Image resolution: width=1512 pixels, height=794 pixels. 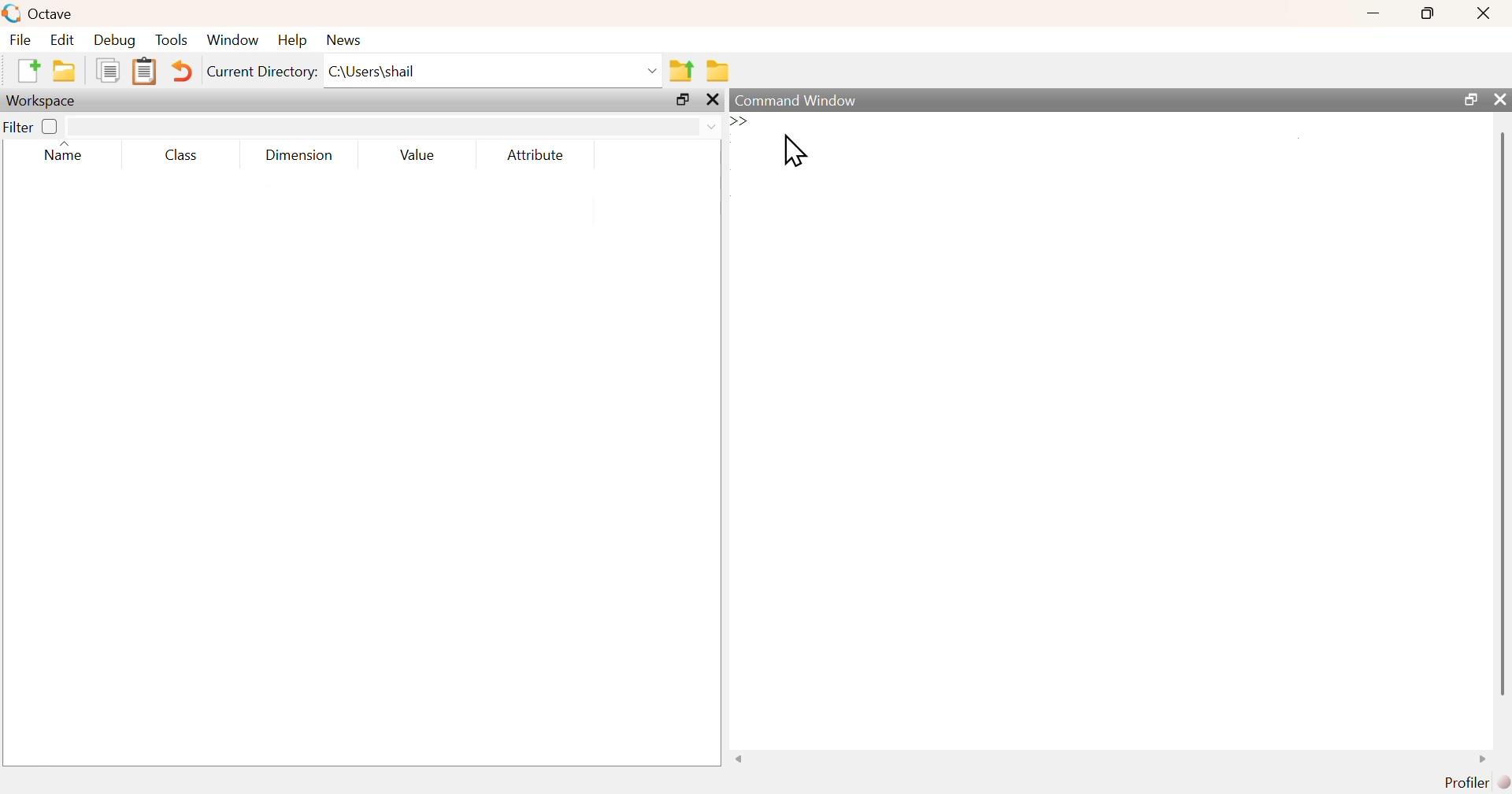 I want to click on Attribute, so click(x=536, y=154).